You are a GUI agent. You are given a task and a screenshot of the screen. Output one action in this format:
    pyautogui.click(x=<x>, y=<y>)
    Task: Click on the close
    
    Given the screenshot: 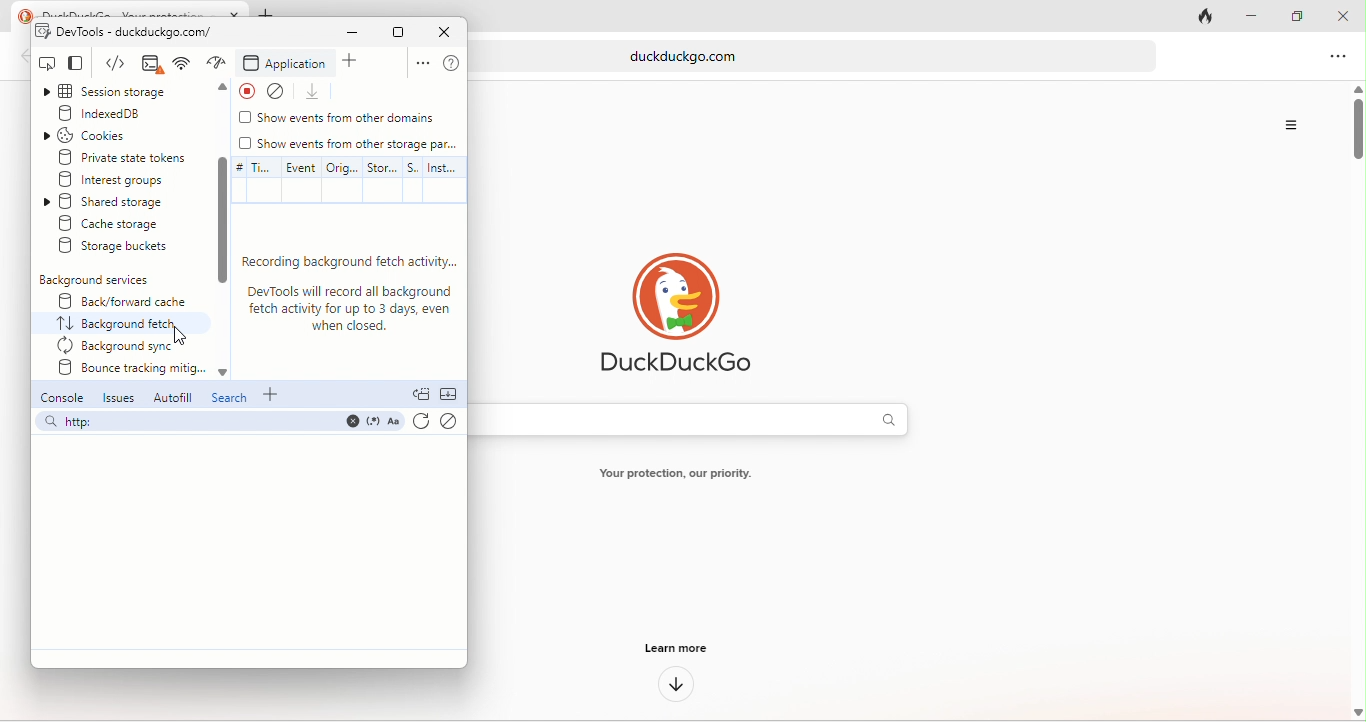 What is the action you would take?
    pyautogui.click(x=1344, y=17)
    